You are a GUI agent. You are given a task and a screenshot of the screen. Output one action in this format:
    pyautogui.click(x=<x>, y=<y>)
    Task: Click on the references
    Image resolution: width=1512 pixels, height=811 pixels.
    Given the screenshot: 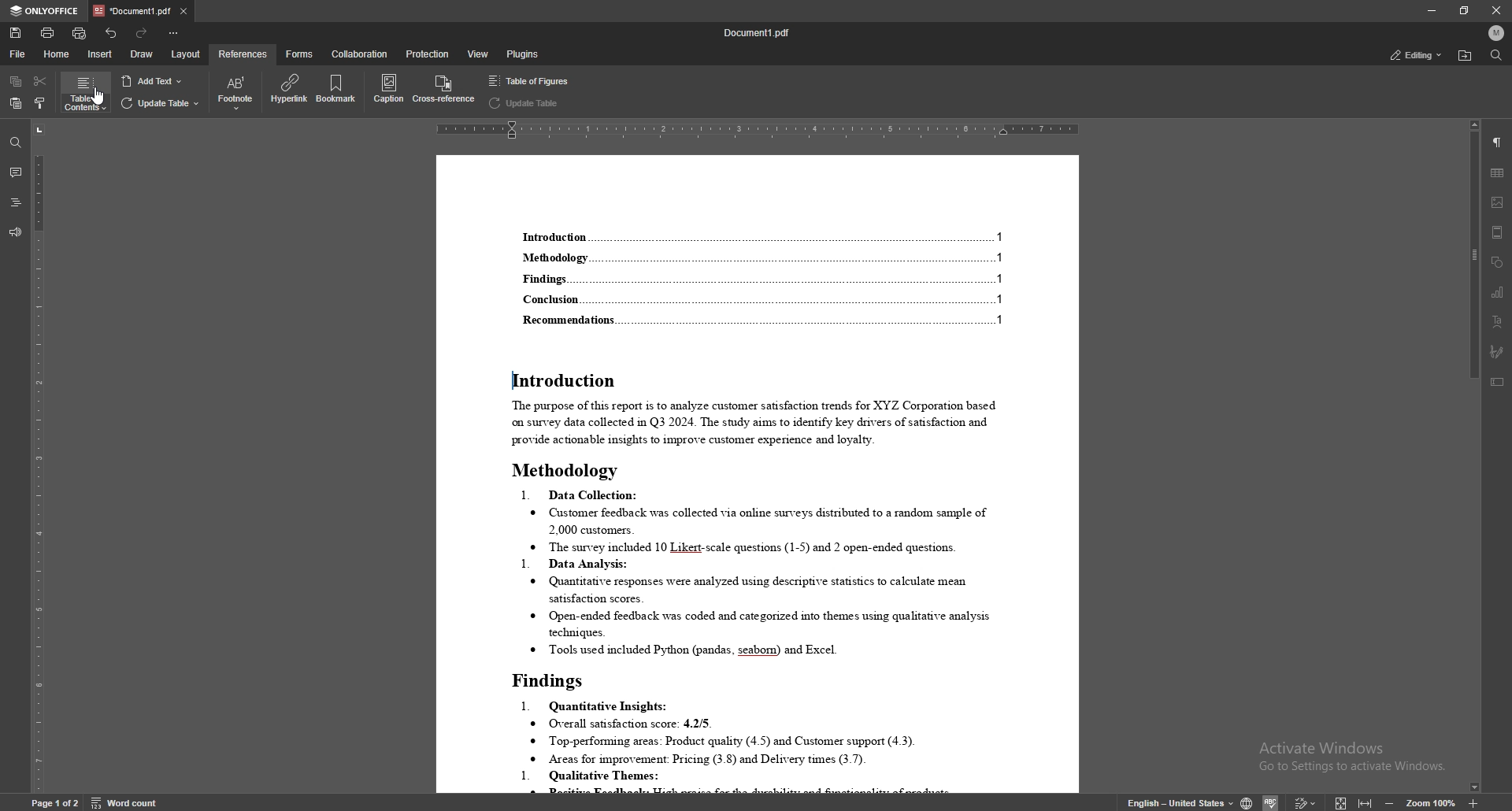 What is the action you would take?
    pyautogui.click(x=243, y=54)
    